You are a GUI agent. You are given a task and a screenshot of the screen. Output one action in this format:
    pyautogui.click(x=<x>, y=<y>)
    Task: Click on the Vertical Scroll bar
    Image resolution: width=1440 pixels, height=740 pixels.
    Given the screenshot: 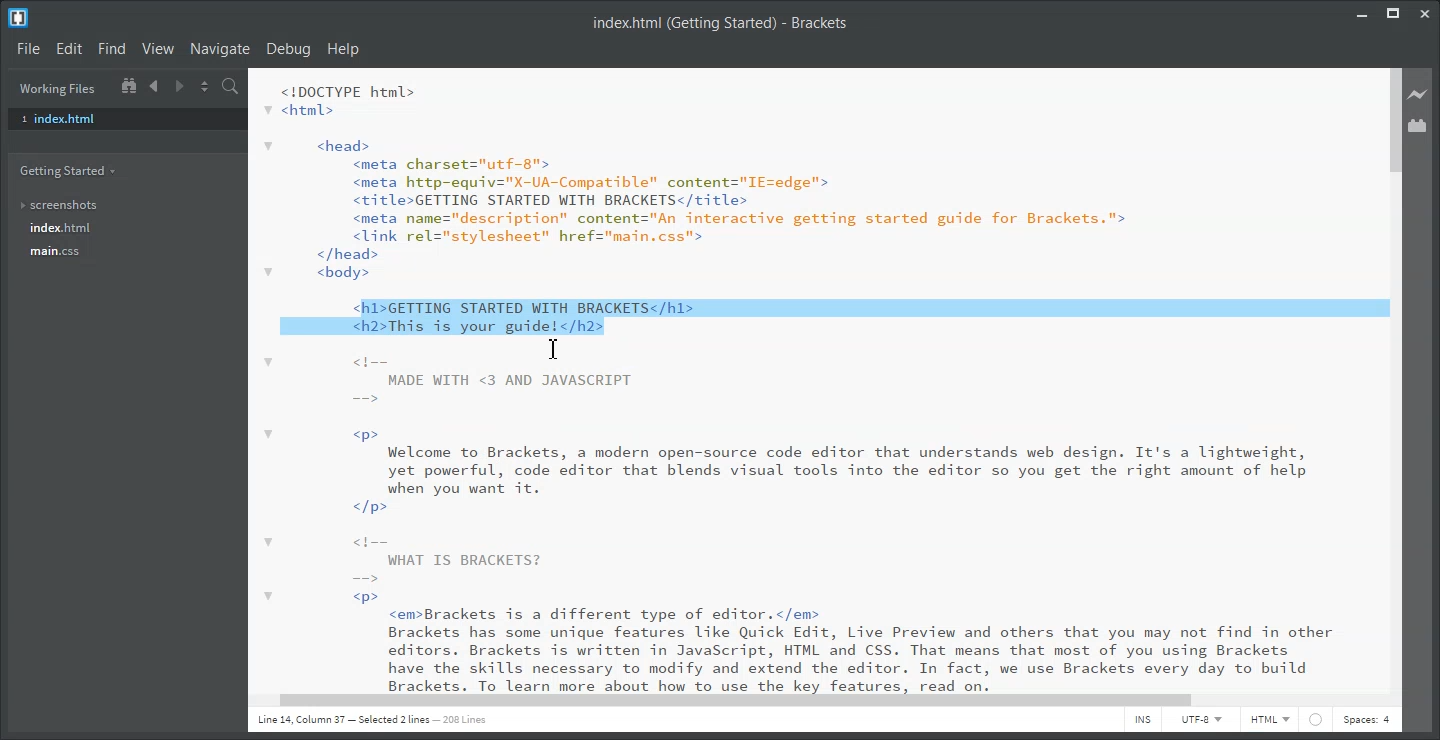 What is the action you would take?
    pyautogui.click(x=1394, y=377)
    